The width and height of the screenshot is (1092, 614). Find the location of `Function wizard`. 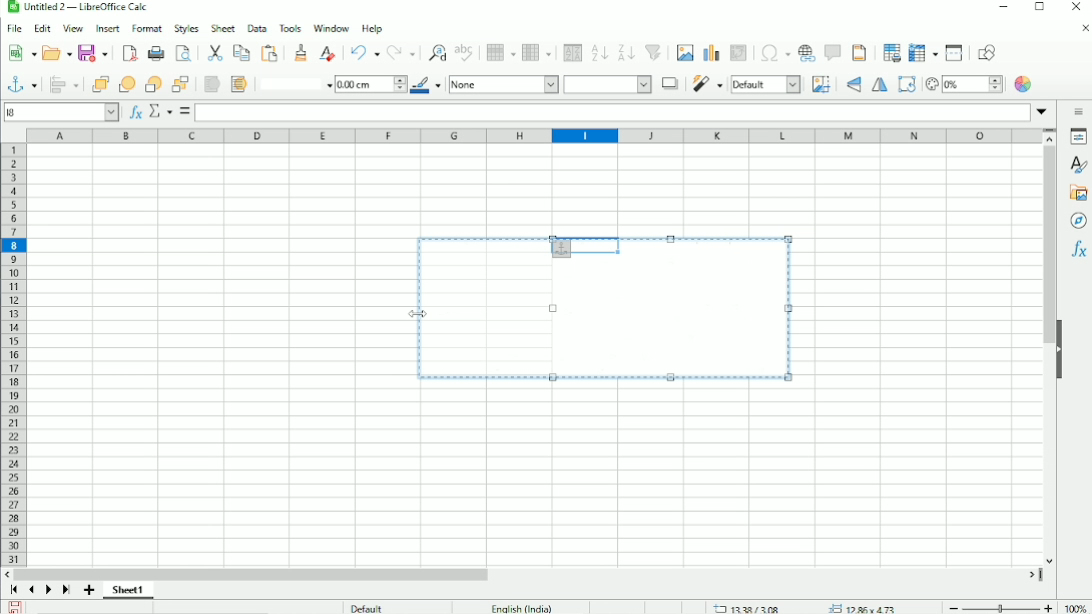

Function wizard is located at coordinates (133, 112).